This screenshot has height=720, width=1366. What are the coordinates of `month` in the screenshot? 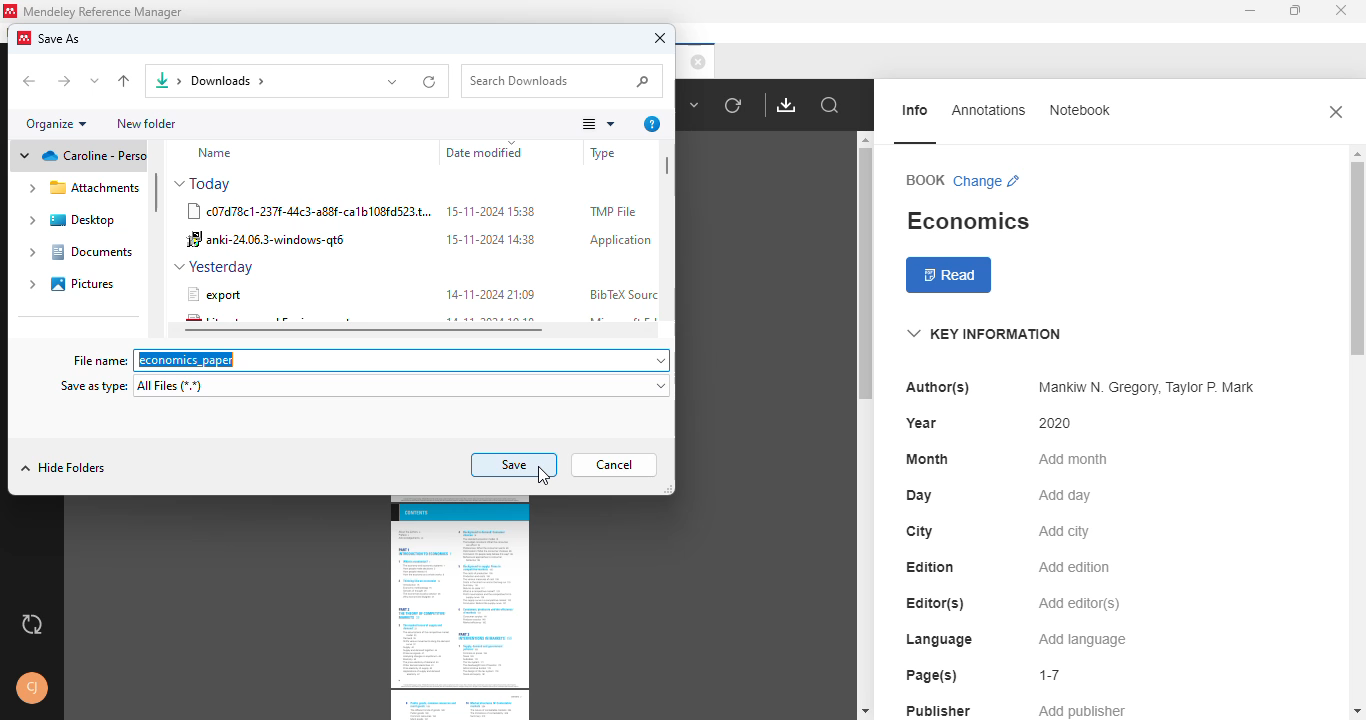 It's located at (927, 459).